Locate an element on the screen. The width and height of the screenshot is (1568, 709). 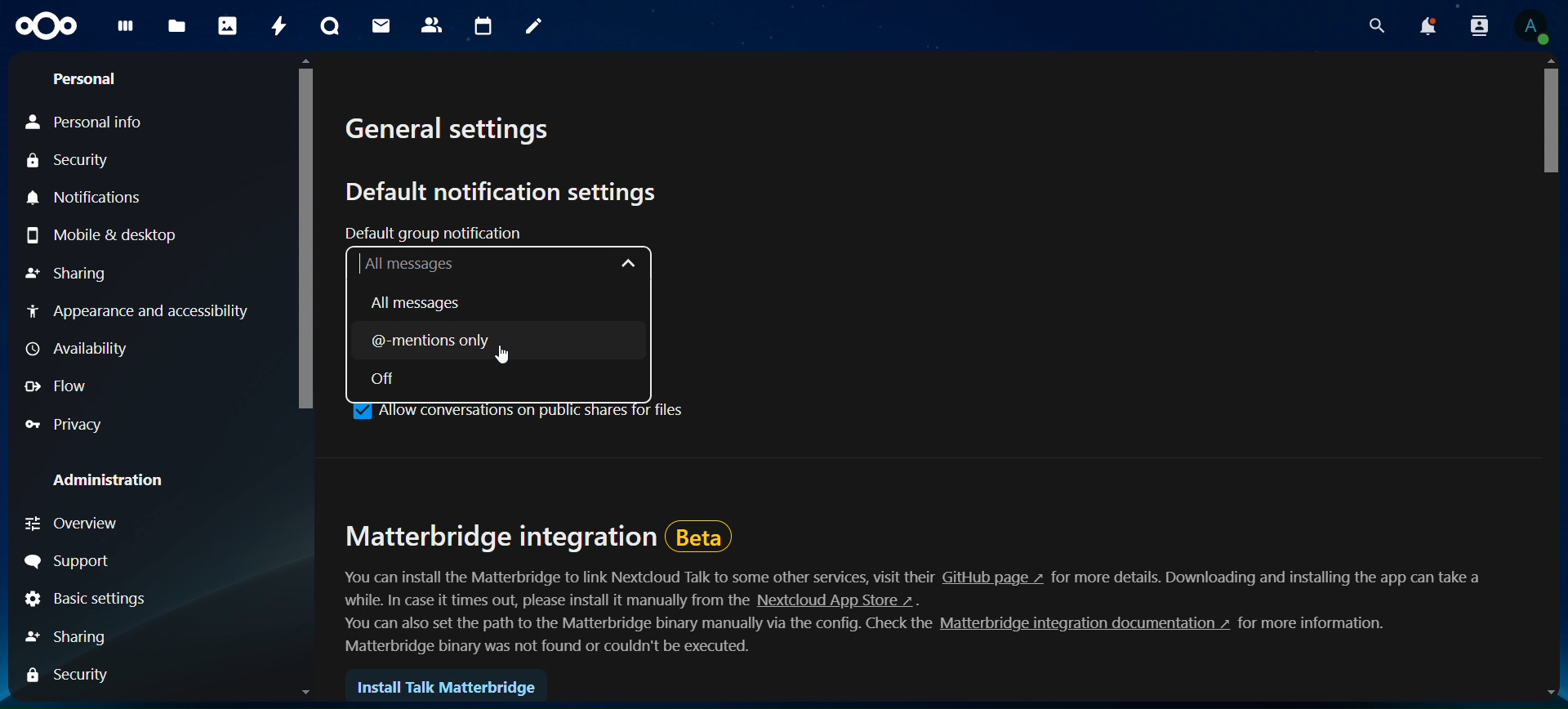
notifications is located at coordinates (91, 197).